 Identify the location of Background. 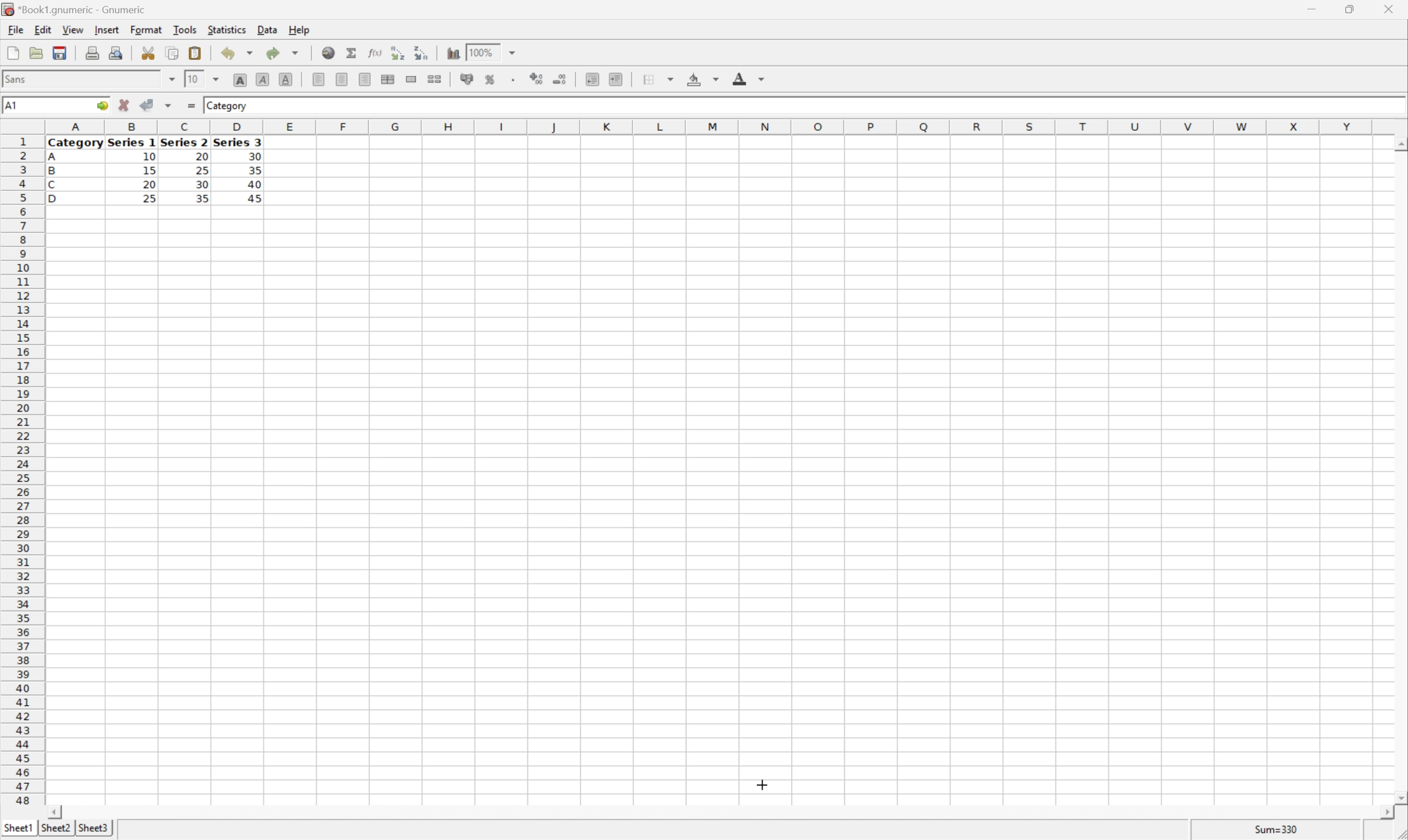
(701, 78).